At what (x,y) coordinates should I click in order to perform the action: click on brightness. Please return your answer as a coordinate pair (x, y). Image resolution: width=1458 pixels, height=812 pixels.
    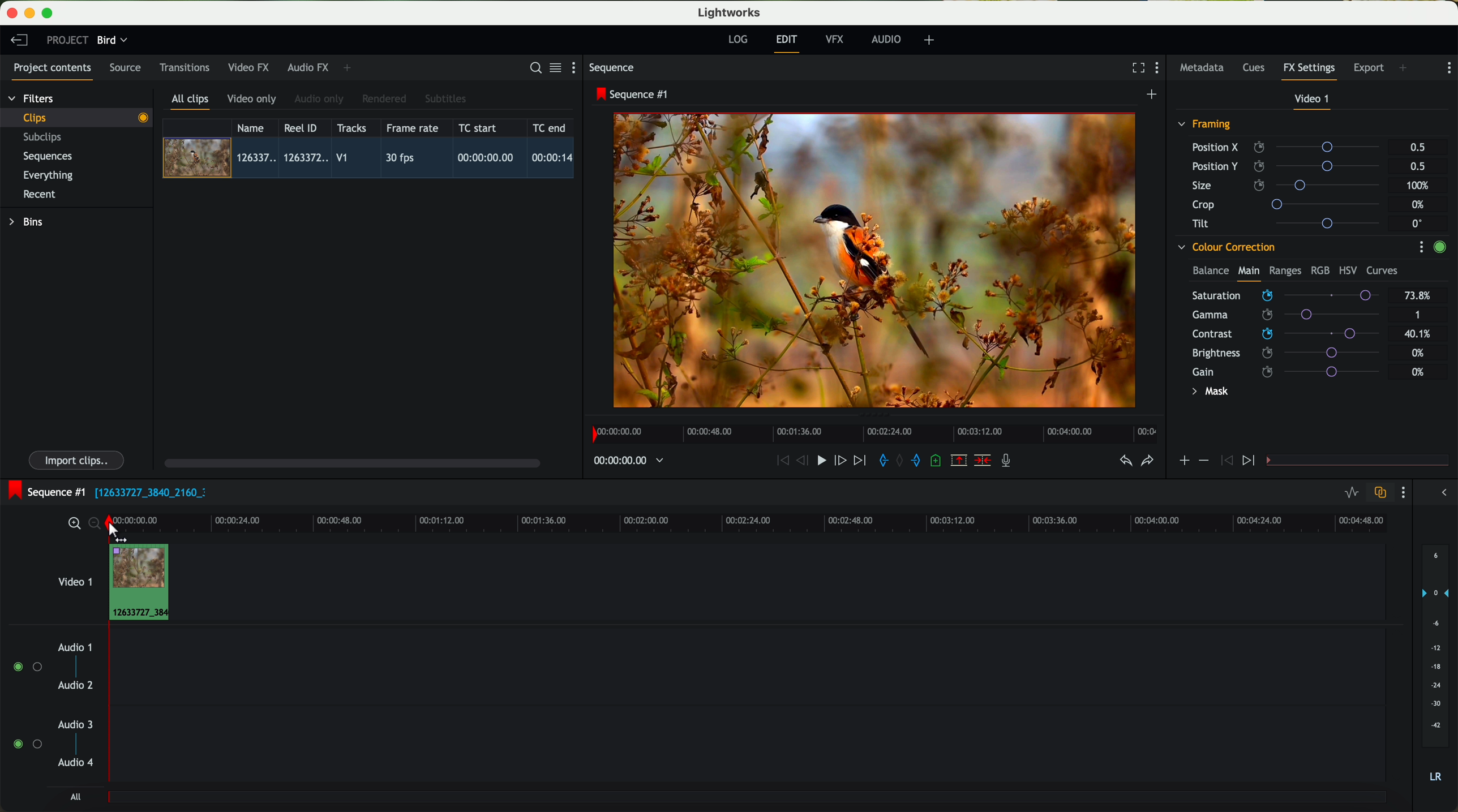
    Looking at the image, I should click on (1293, 353).